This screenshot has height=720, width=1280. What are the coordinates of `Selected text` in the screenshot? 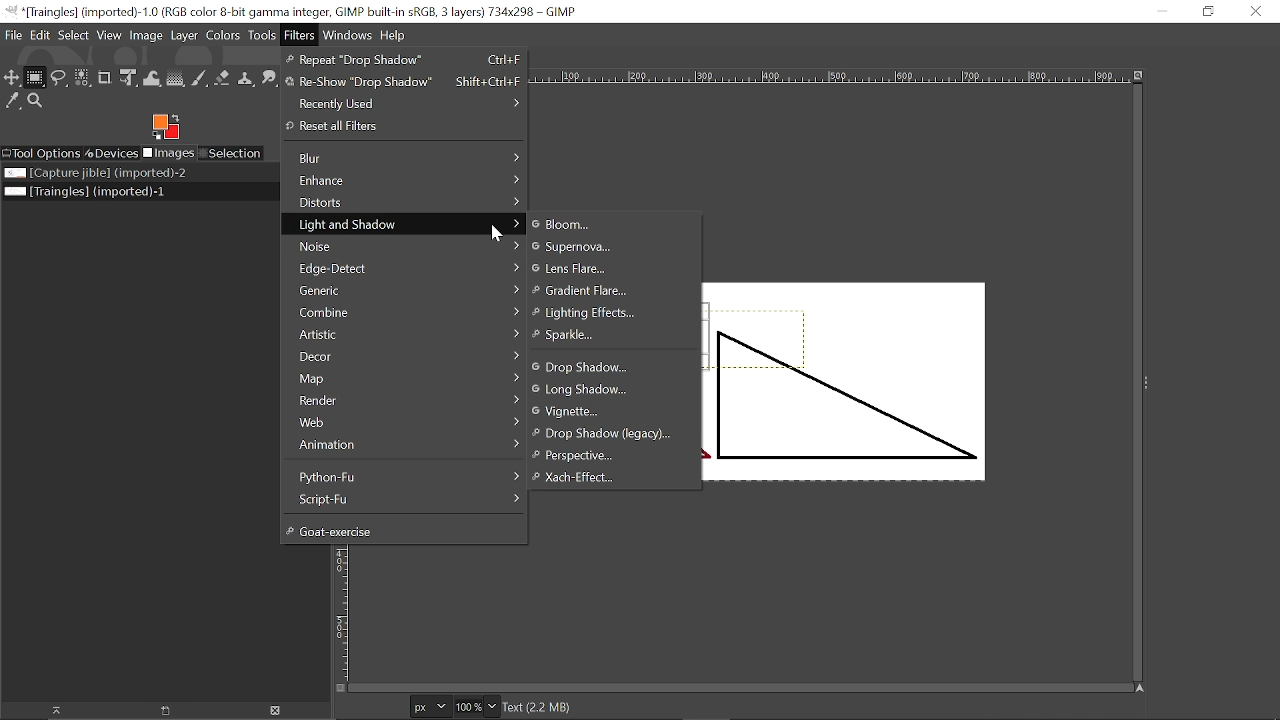 It's located at (857, 380).